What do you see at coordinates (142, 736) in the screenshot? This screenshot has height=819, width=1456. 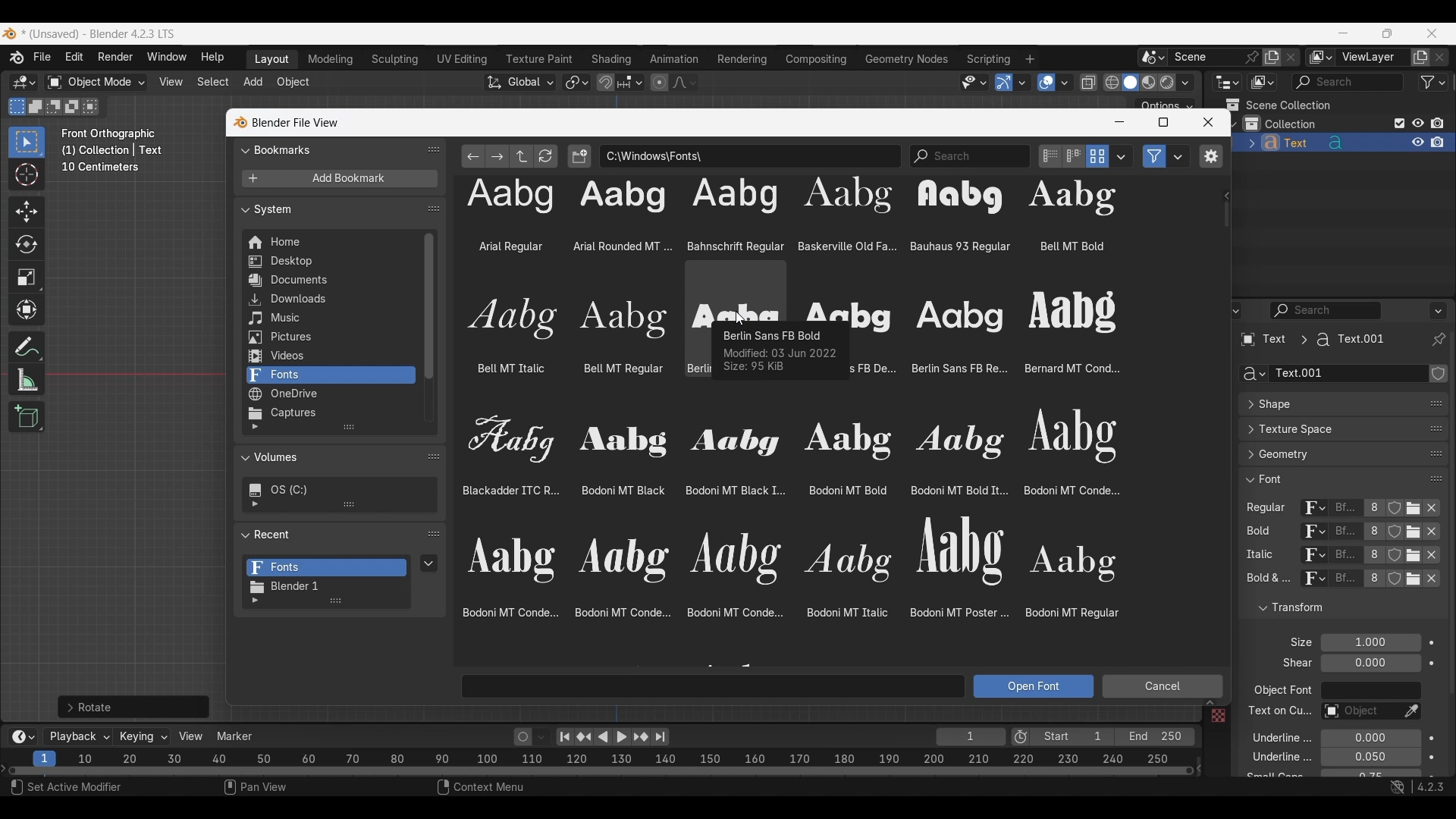 I see `Keying` at bounding box center [142, 736].